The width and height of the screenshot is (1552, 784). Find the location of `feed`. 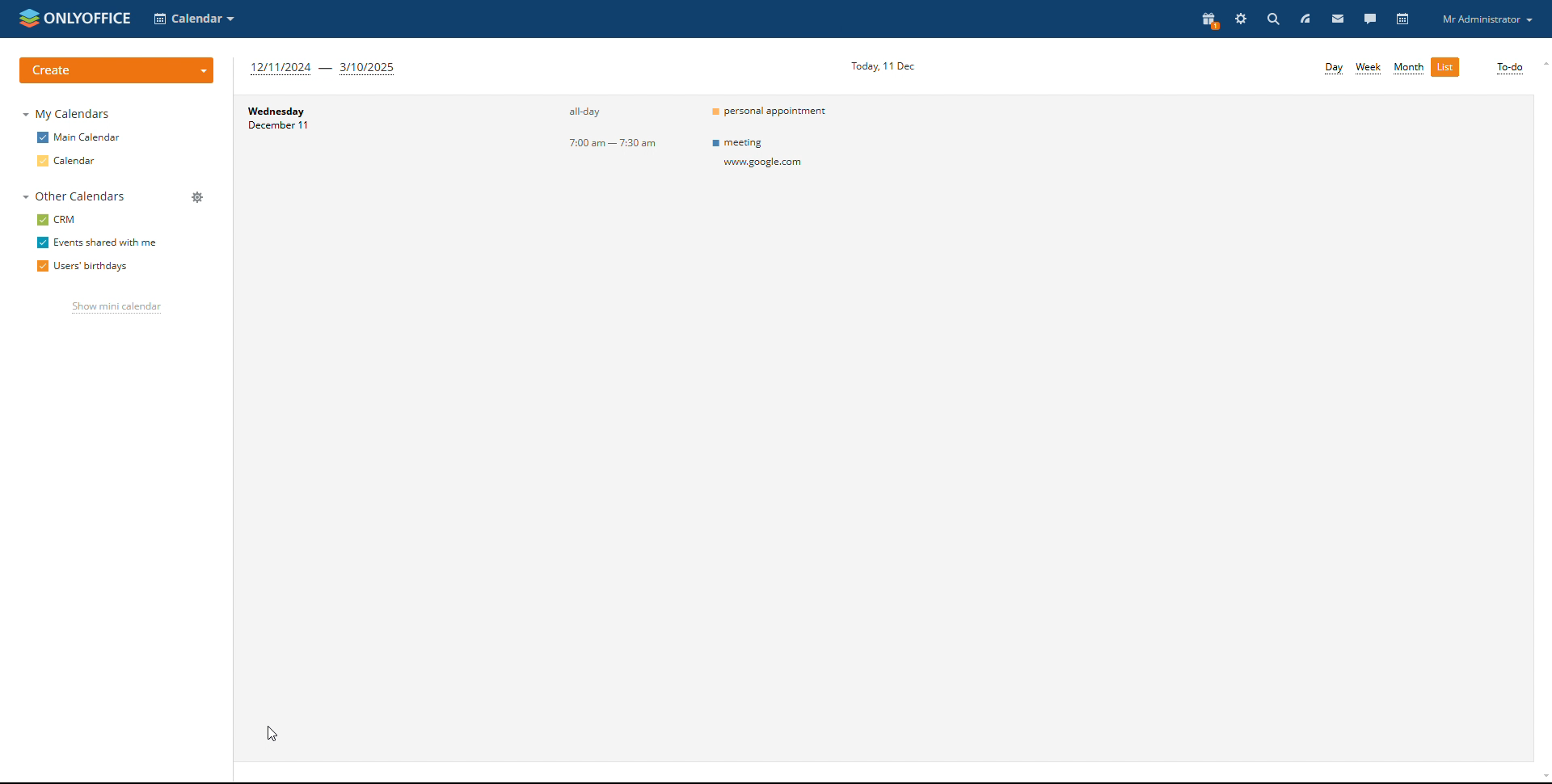

feed is located at coordinates (1305, 19).